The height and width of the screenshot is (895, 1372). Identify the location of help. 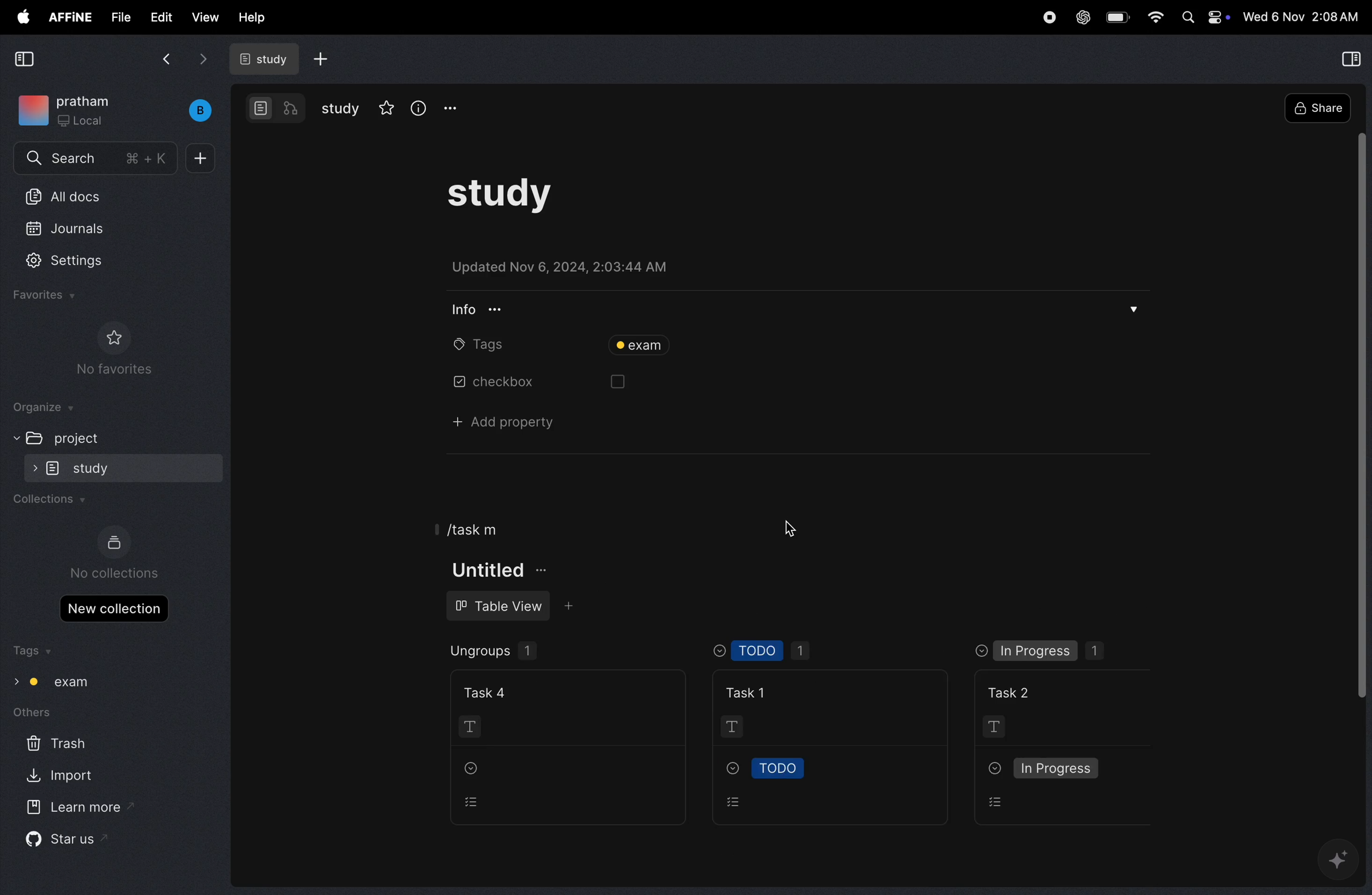
(254, 18).